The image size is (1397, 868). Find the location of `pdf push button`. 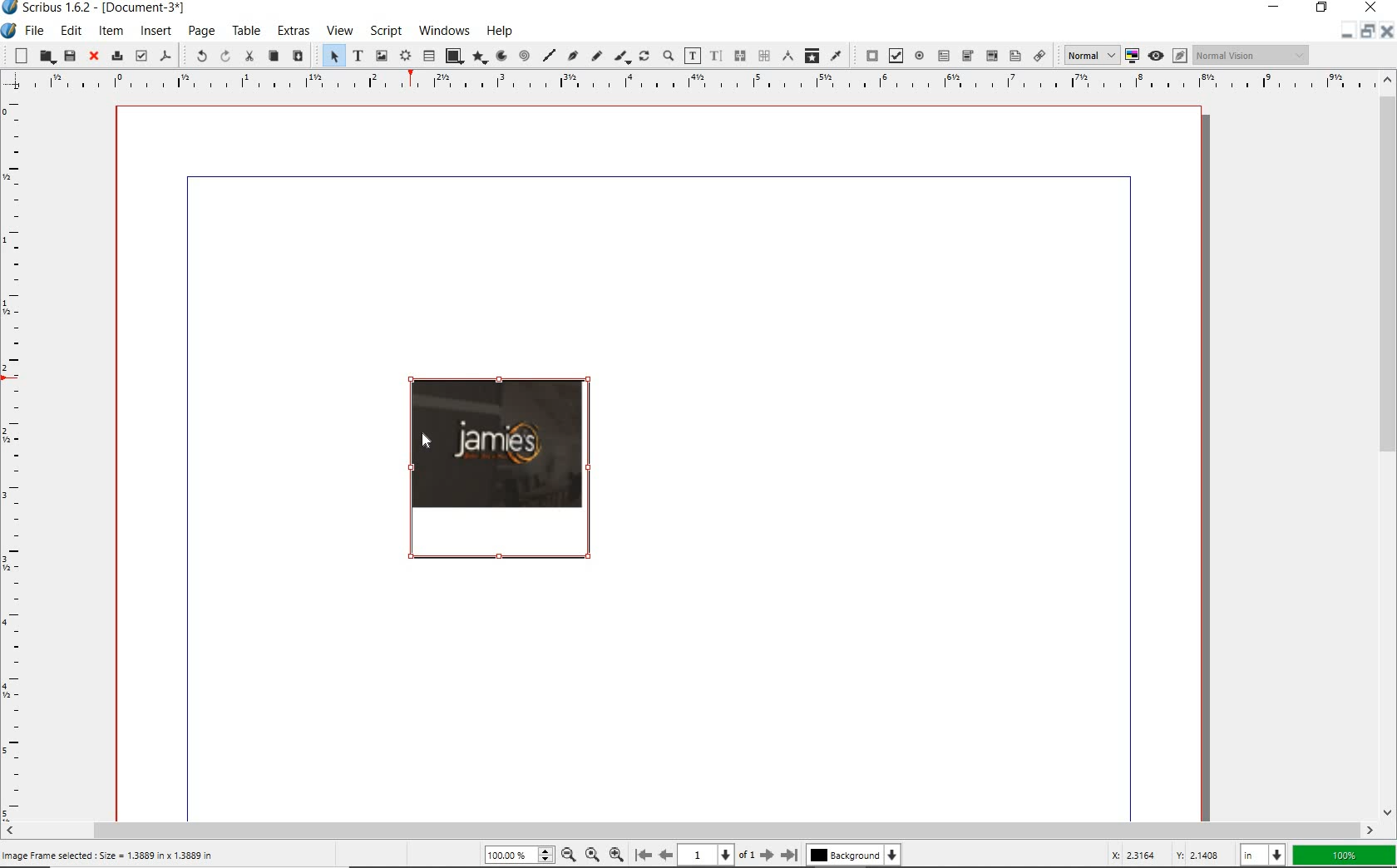

pdf push button is located at coordinates (867, 55).